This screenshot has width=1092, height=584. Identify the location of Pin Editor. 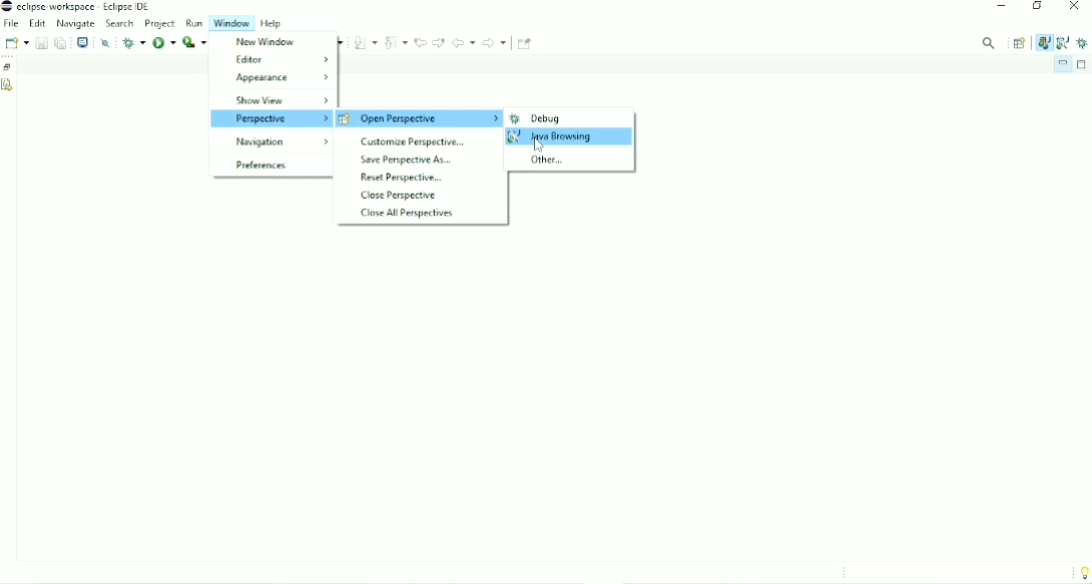
(525, 43).